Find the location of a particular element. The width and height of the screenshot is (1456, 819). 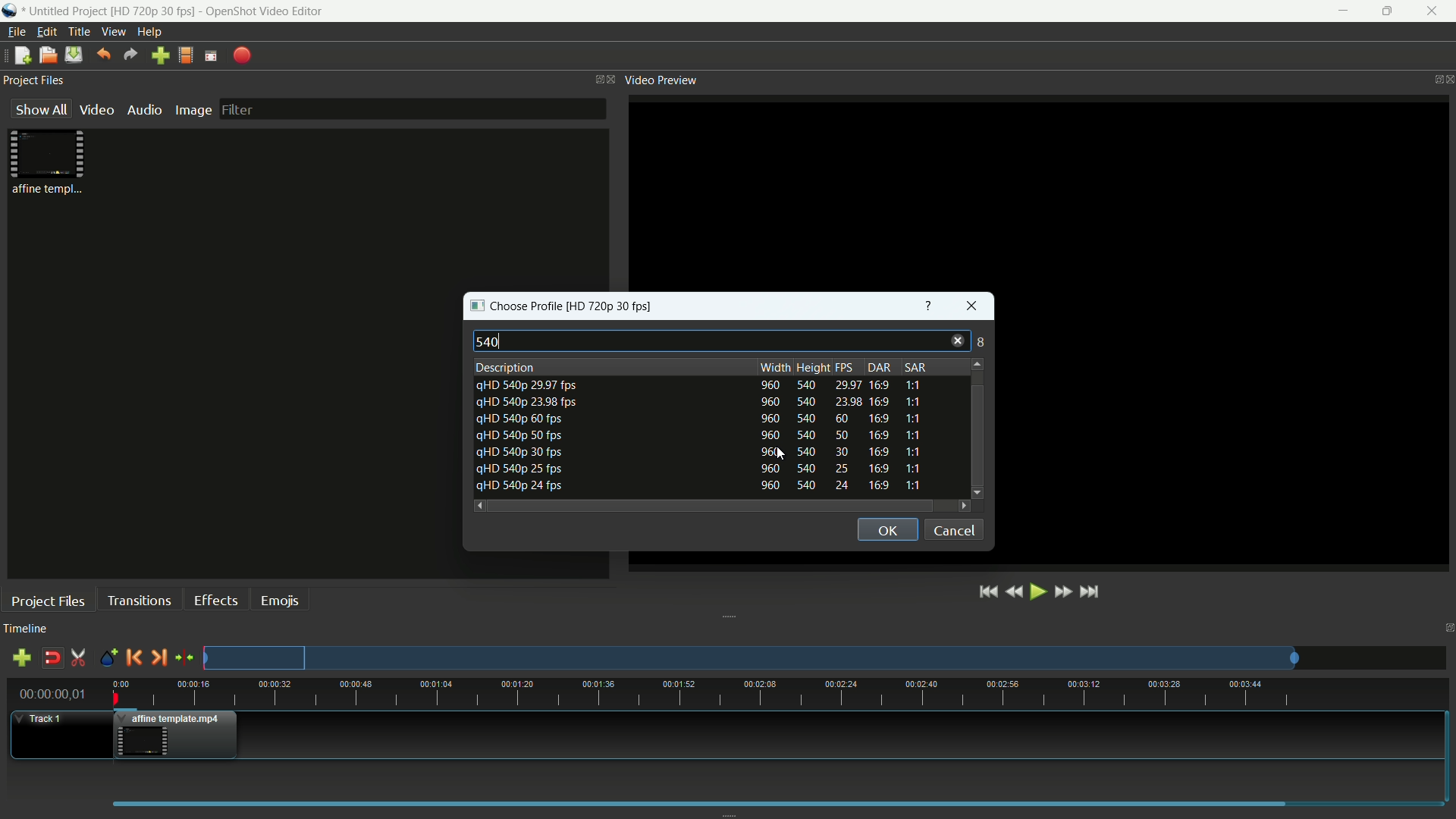

profile is located at coordinates (613, 308).